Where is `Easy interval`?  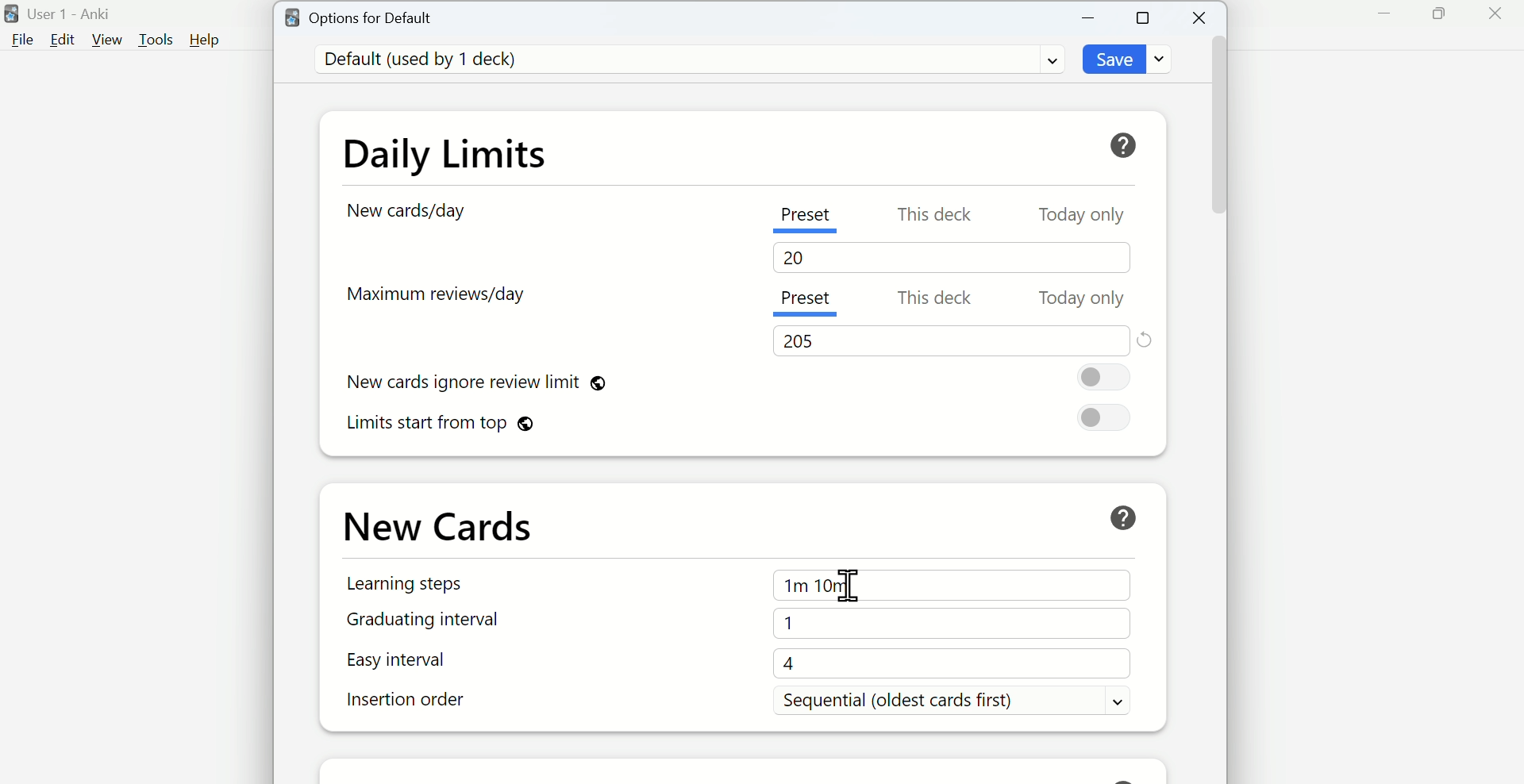 Easy interval is located at coordinates (415, 663).